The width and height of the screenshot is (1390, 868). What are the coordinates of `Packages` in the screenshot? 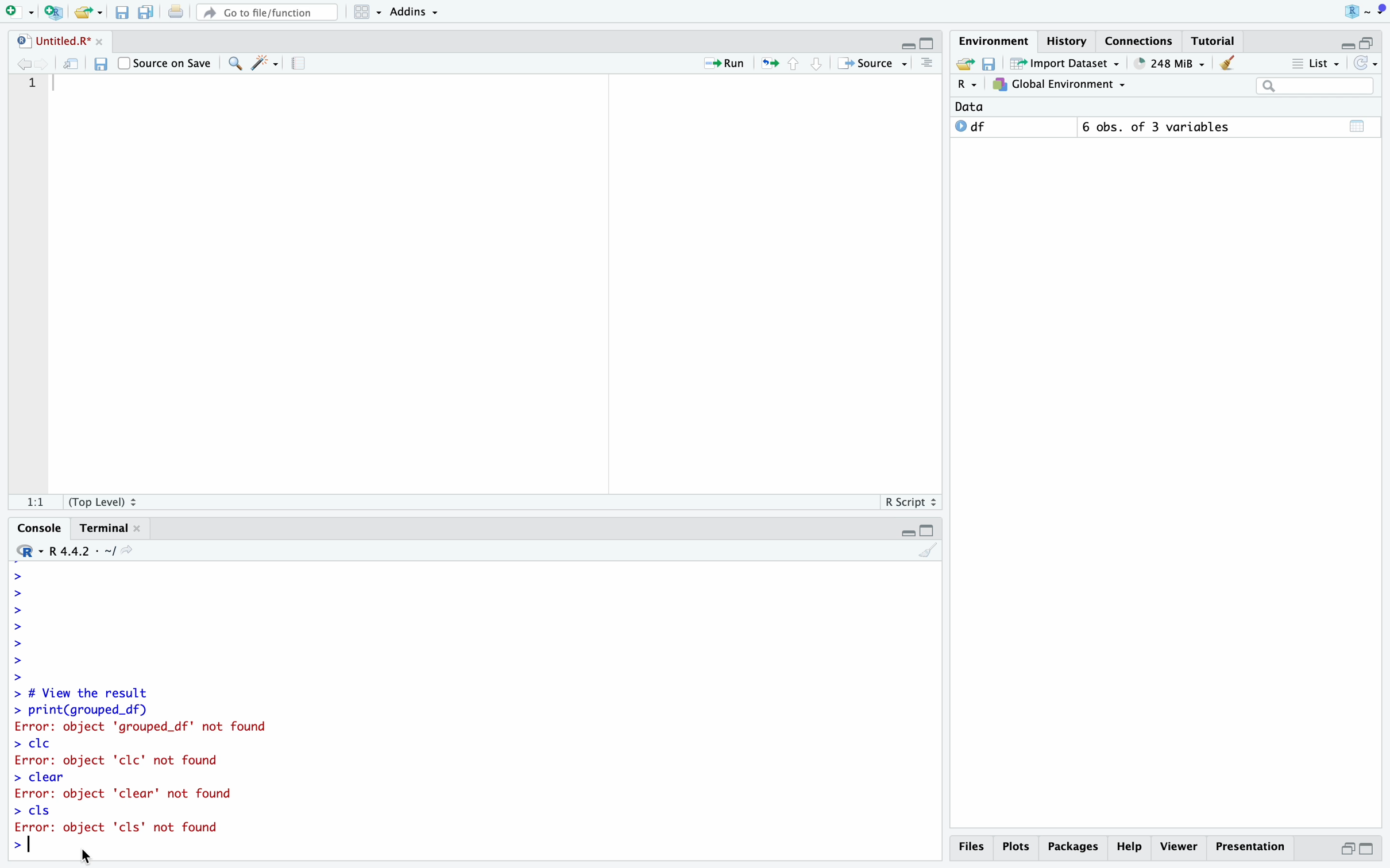 It's located at (1074, 847).